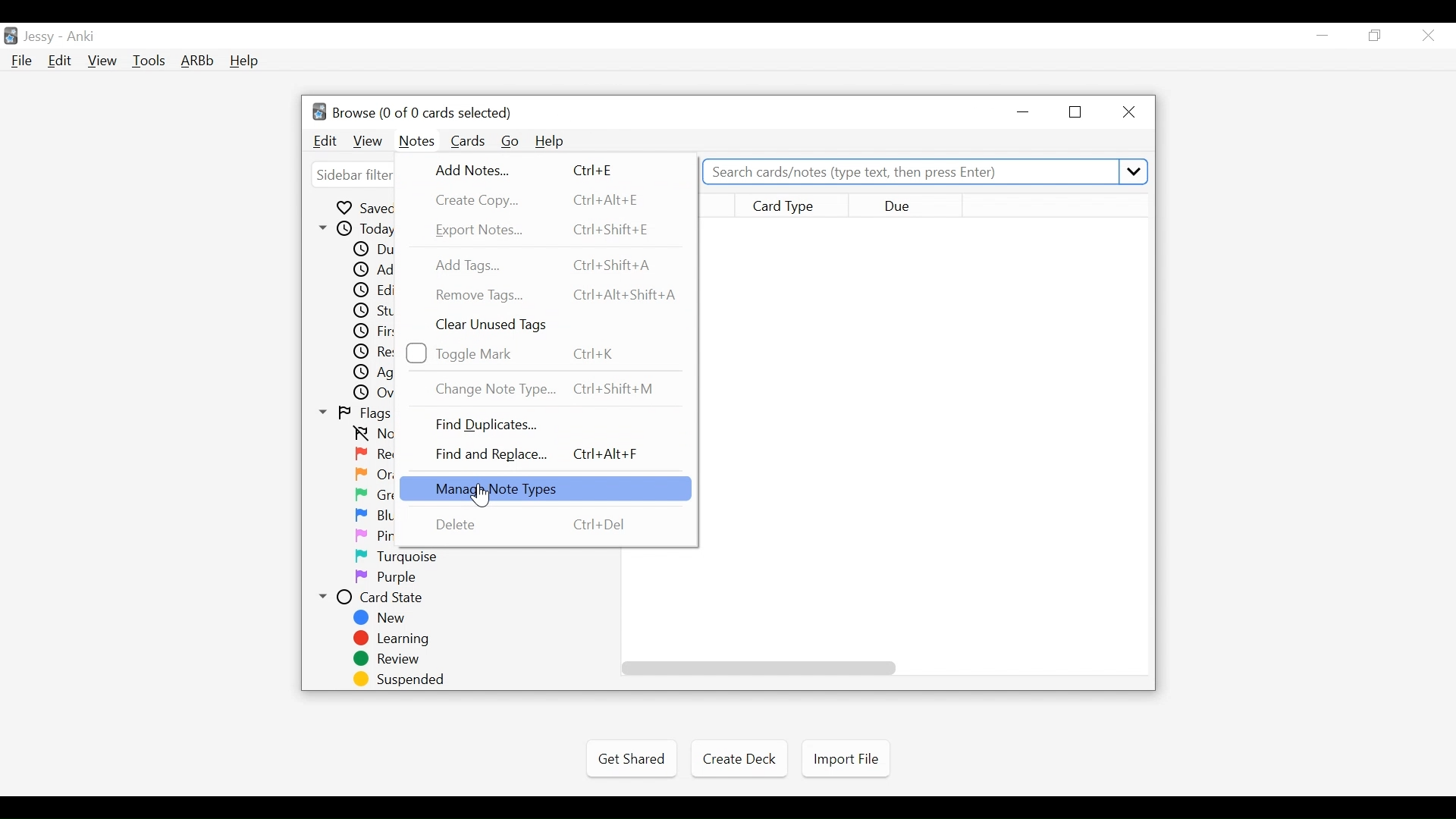 The height and width of the screenshot is (819, 1456). Describe the element at coordinates (469, 141) in the screenshot. I see `Cards` at that location.